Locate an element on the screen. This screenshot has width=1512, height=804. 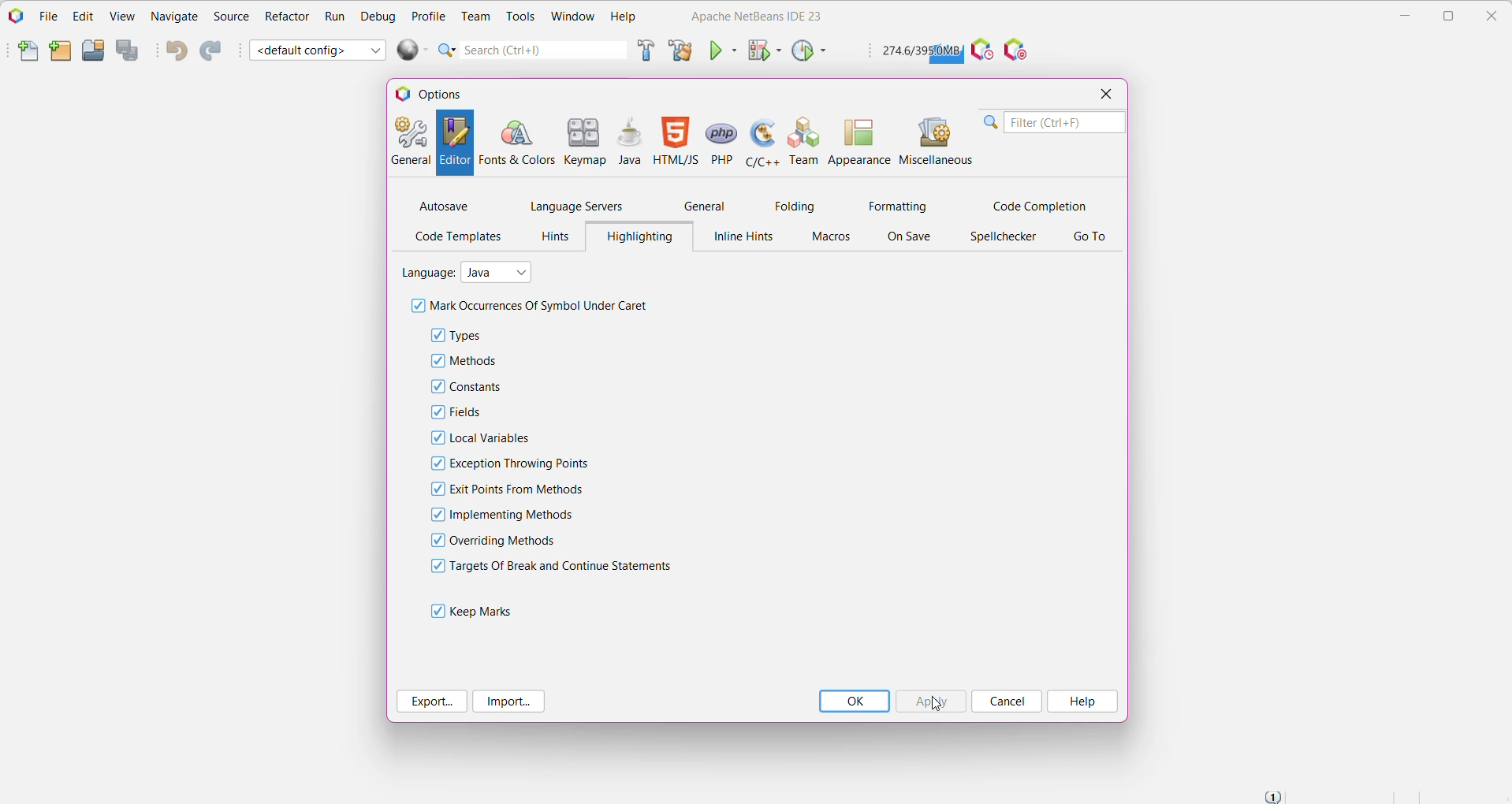
Formatting is located at coordinates (896, 205).